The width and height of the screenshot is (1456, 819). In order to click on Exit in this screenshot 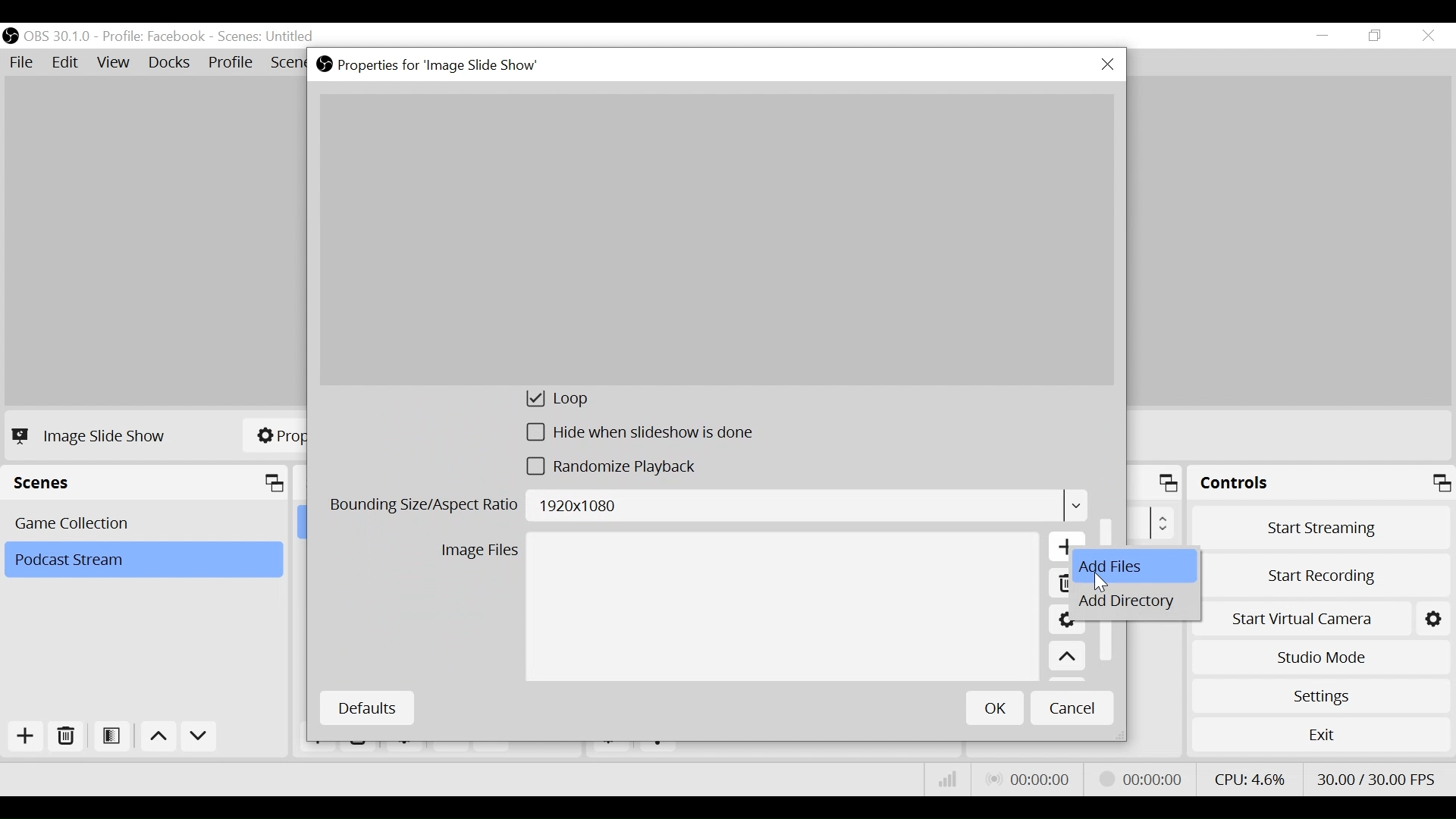, I will do `click(1321, 738)`.